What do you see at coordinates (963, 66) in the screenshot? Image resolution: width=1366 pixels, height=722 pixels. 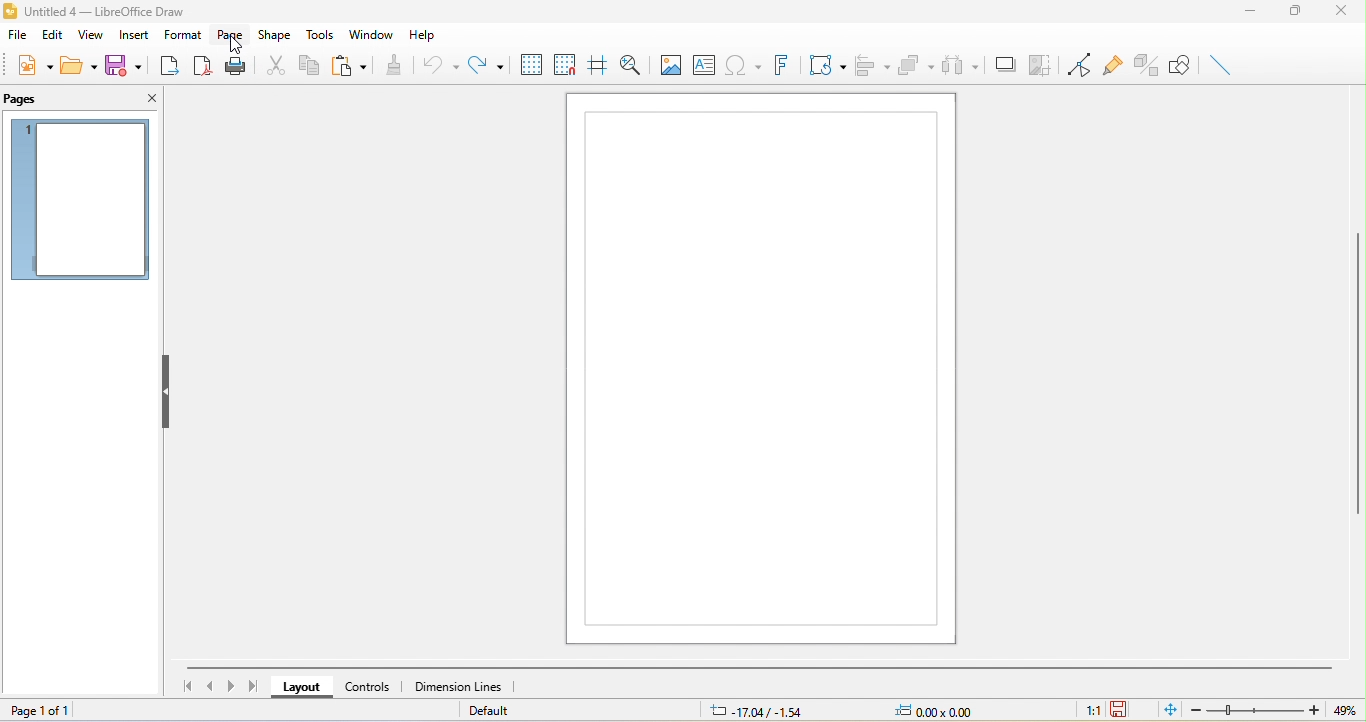 I see `select at least three object to distribute` at bounding box center [963, 66].